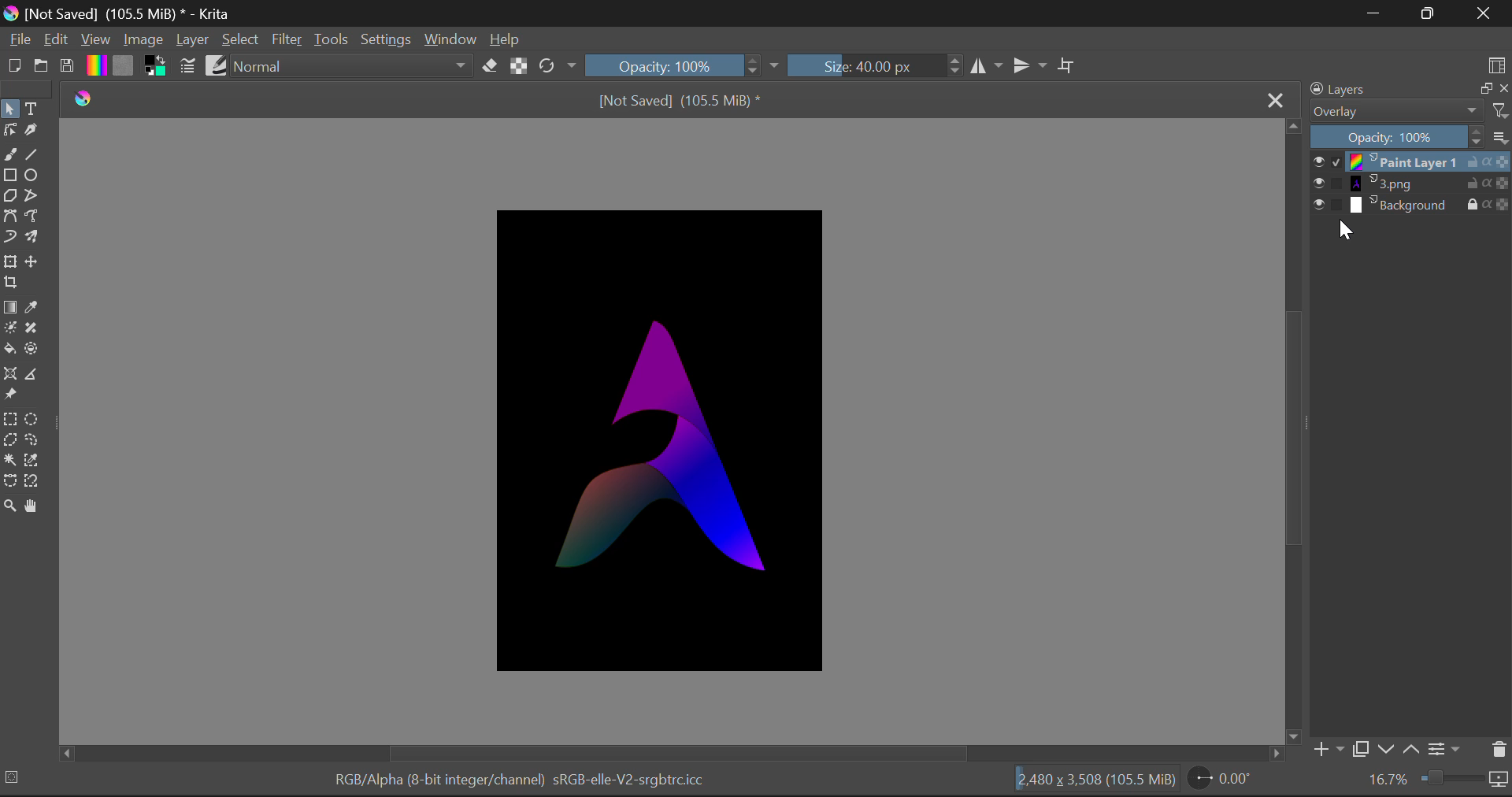 This screenshot has width=1512, height=797. What do you see at coordinates (1503, 205) in the screenshot?
I see `Transparency ` at bounding box center [1503, 205].